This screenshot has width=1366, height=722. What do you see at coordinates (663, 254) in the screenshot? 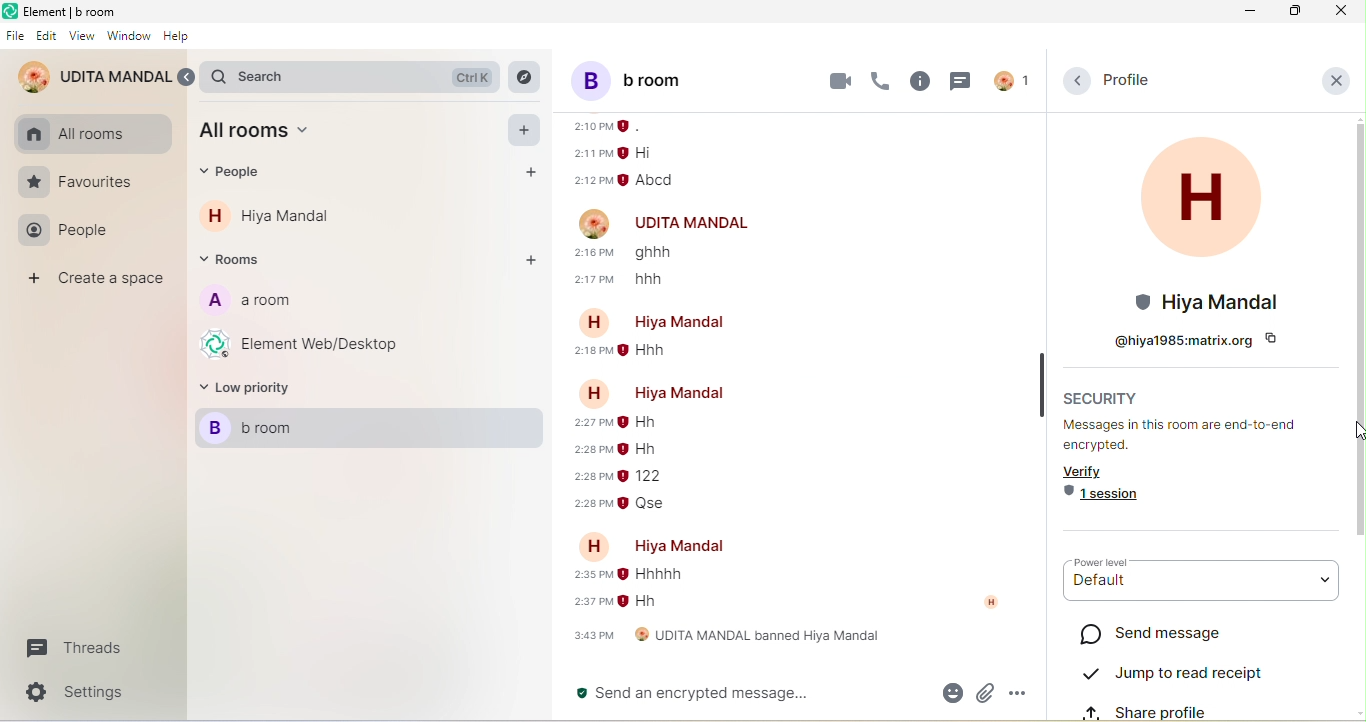
I see `ghhh-older message from udita` at bounding box center [663, 254].